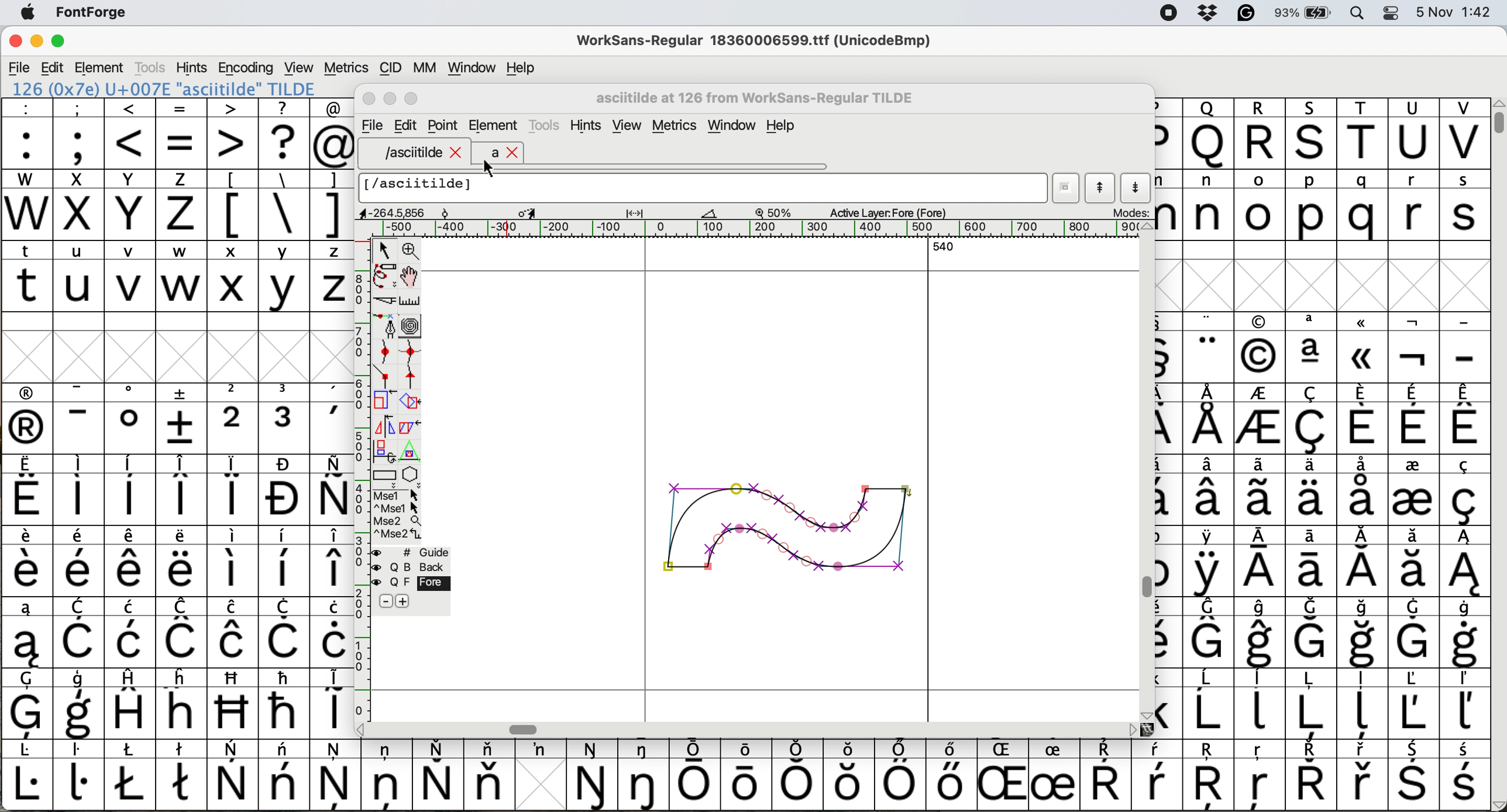  Describe the element at coordinates (1211, 776) in the screenshot. I see `` at that location.